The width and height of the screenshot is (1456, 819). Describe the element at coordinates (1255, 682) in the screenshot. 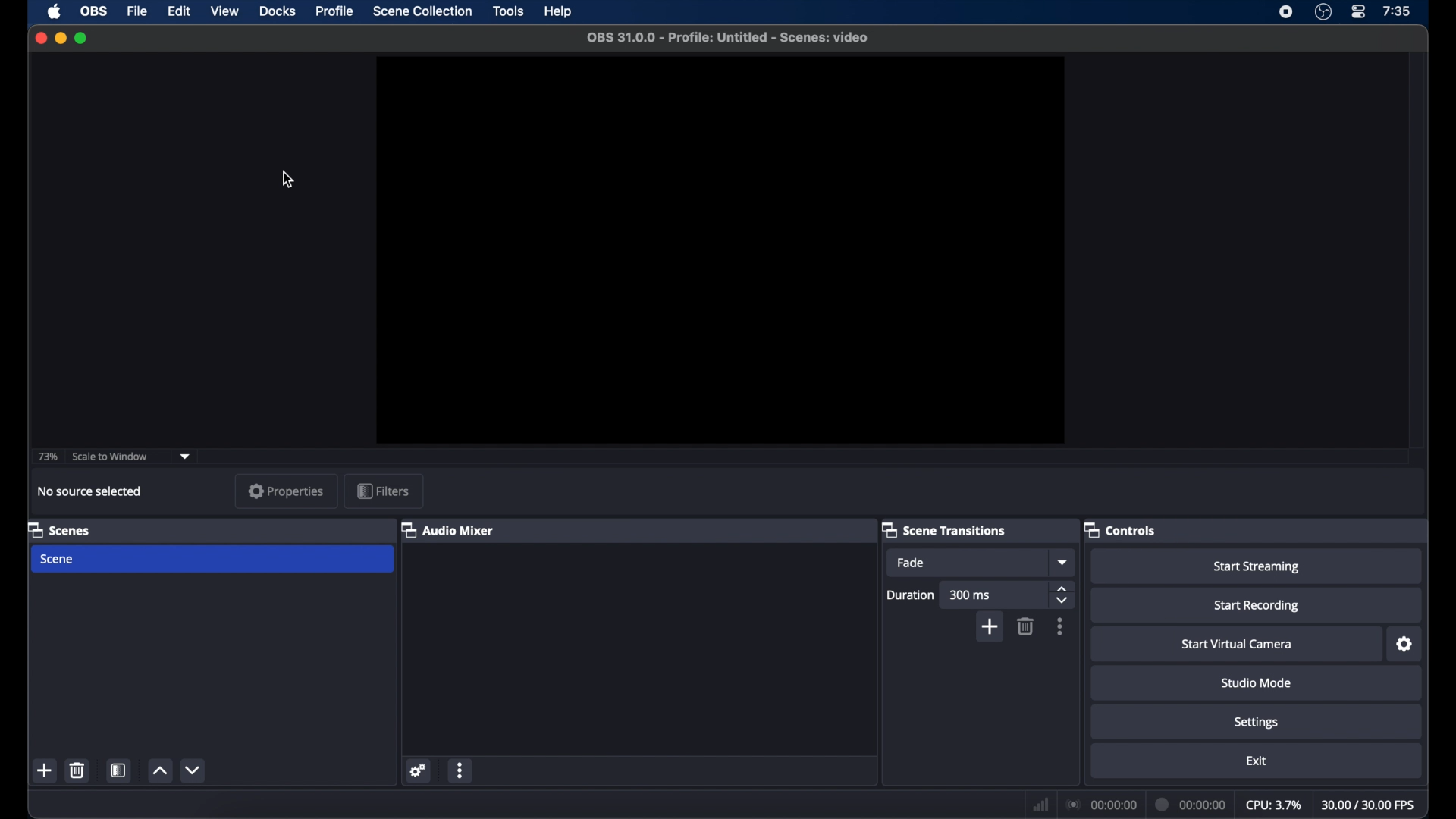

I see `studio mode` at that location.